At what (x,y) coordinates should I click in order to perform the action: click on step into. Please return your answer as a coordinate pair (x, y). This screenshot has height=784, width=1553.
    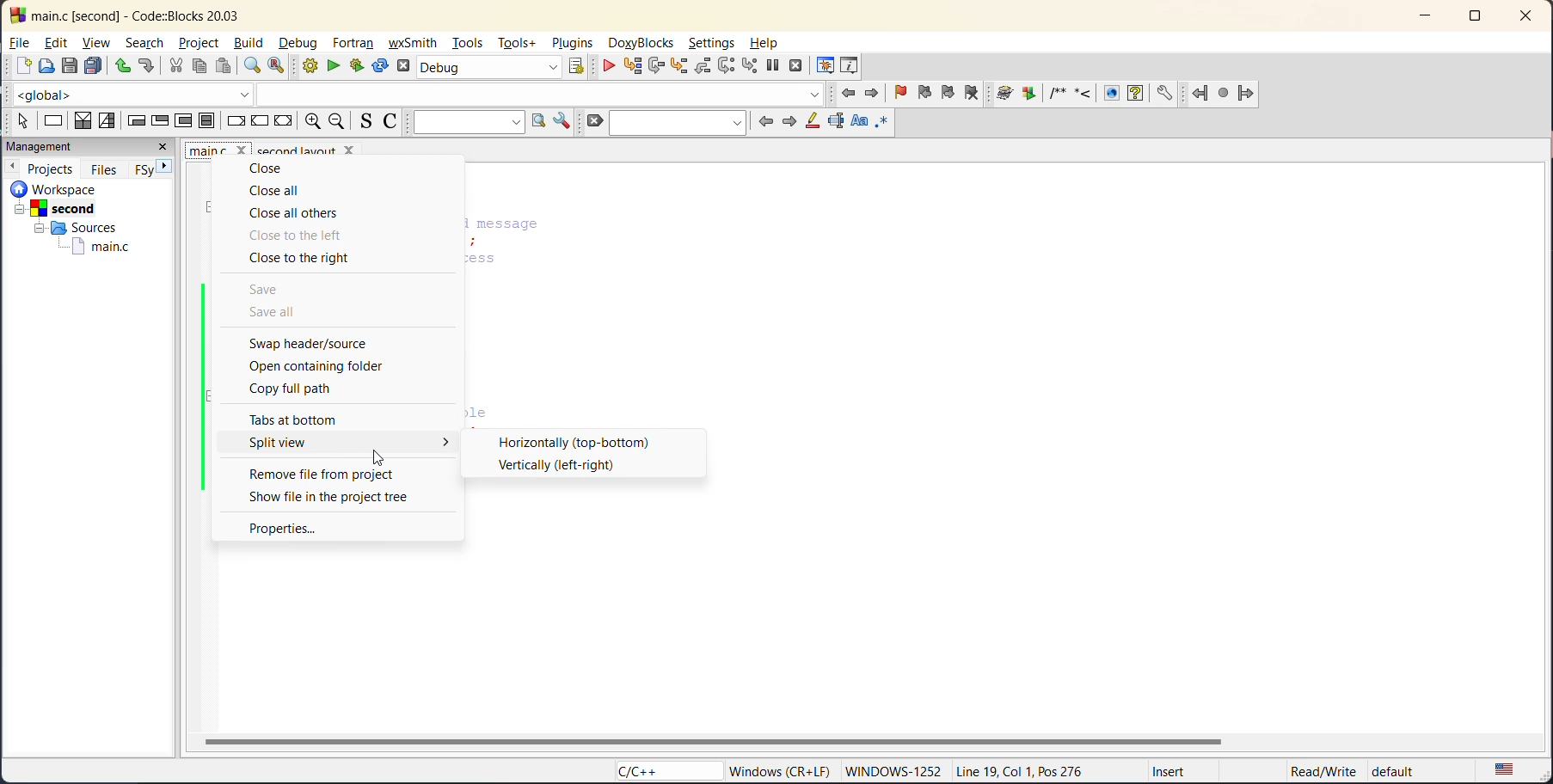
    Looking at the image, I should click on (682, 67).